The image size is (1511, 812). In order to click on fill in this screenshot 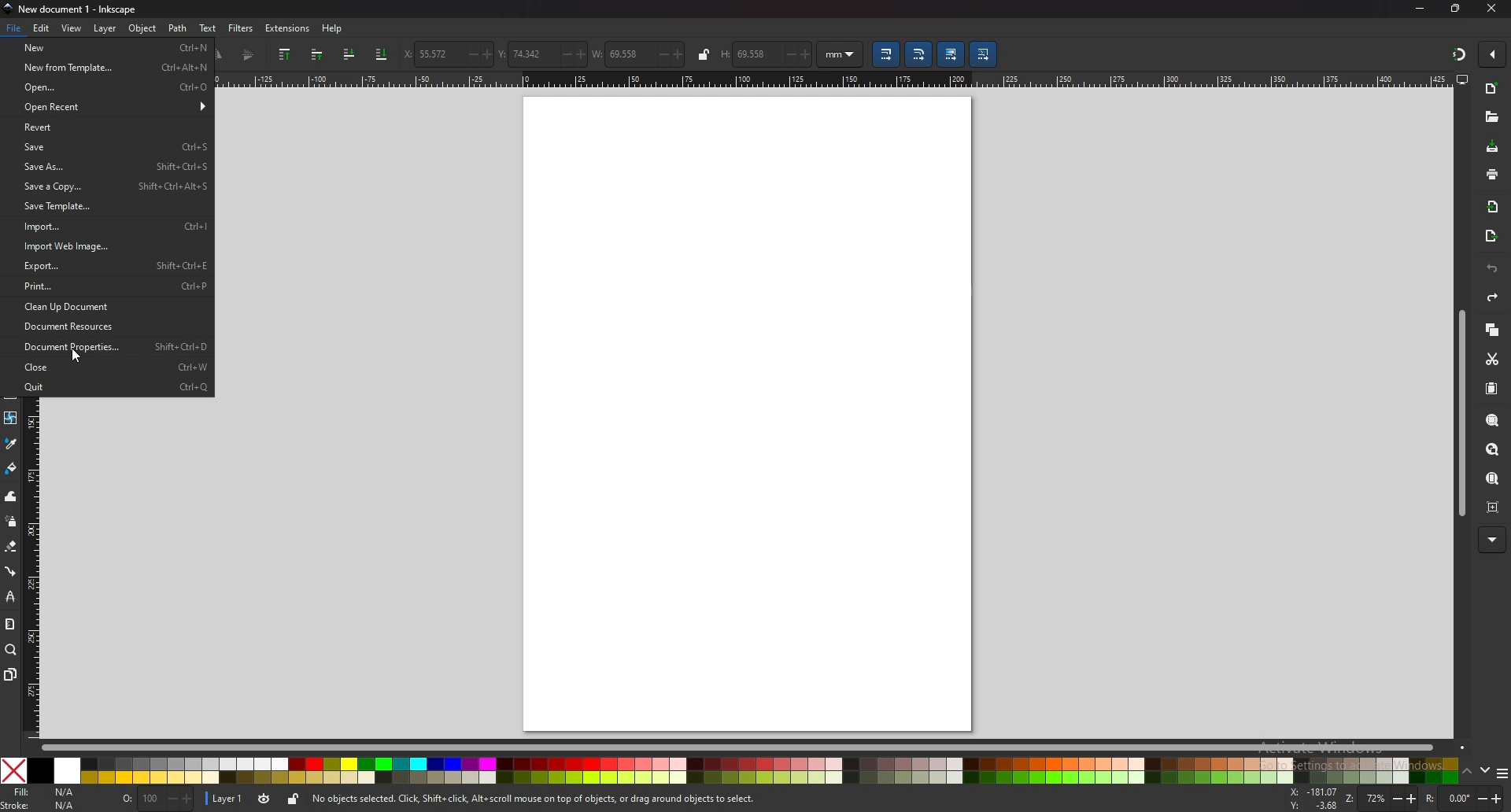, I will do `click(43, 793)`.